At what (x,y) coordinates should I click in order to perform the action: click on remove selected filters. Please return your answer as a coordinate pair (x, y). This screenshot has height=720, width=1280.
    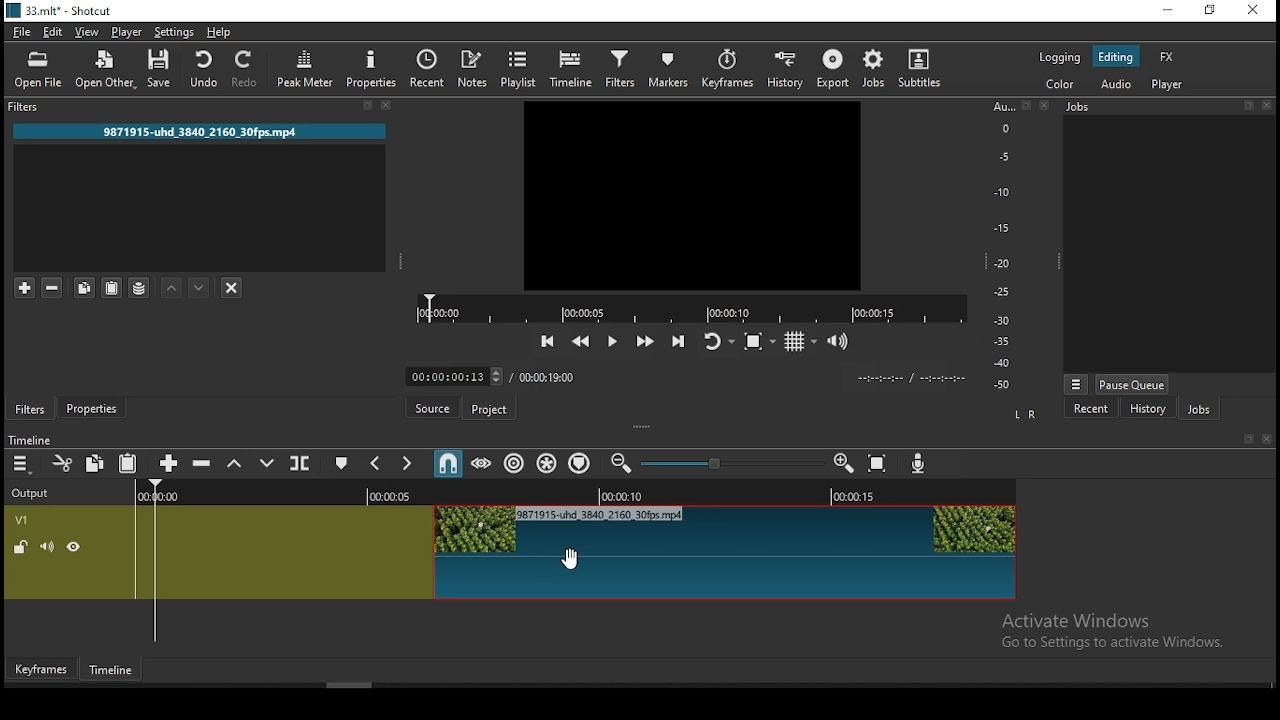
    Looking at the image, I should click on (55, 285).